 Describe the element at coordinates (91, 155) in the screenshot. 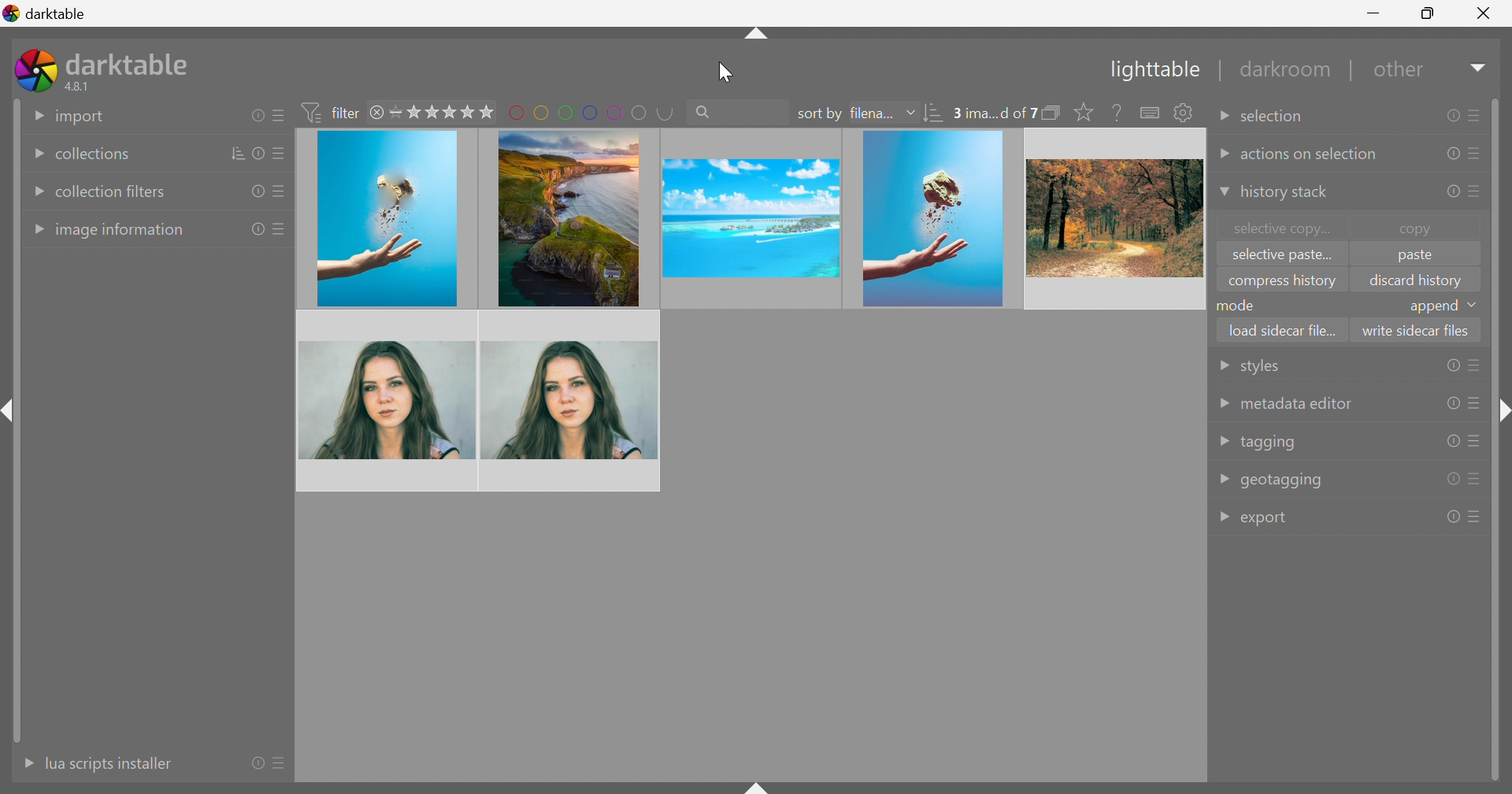

I see `collections` at that location.